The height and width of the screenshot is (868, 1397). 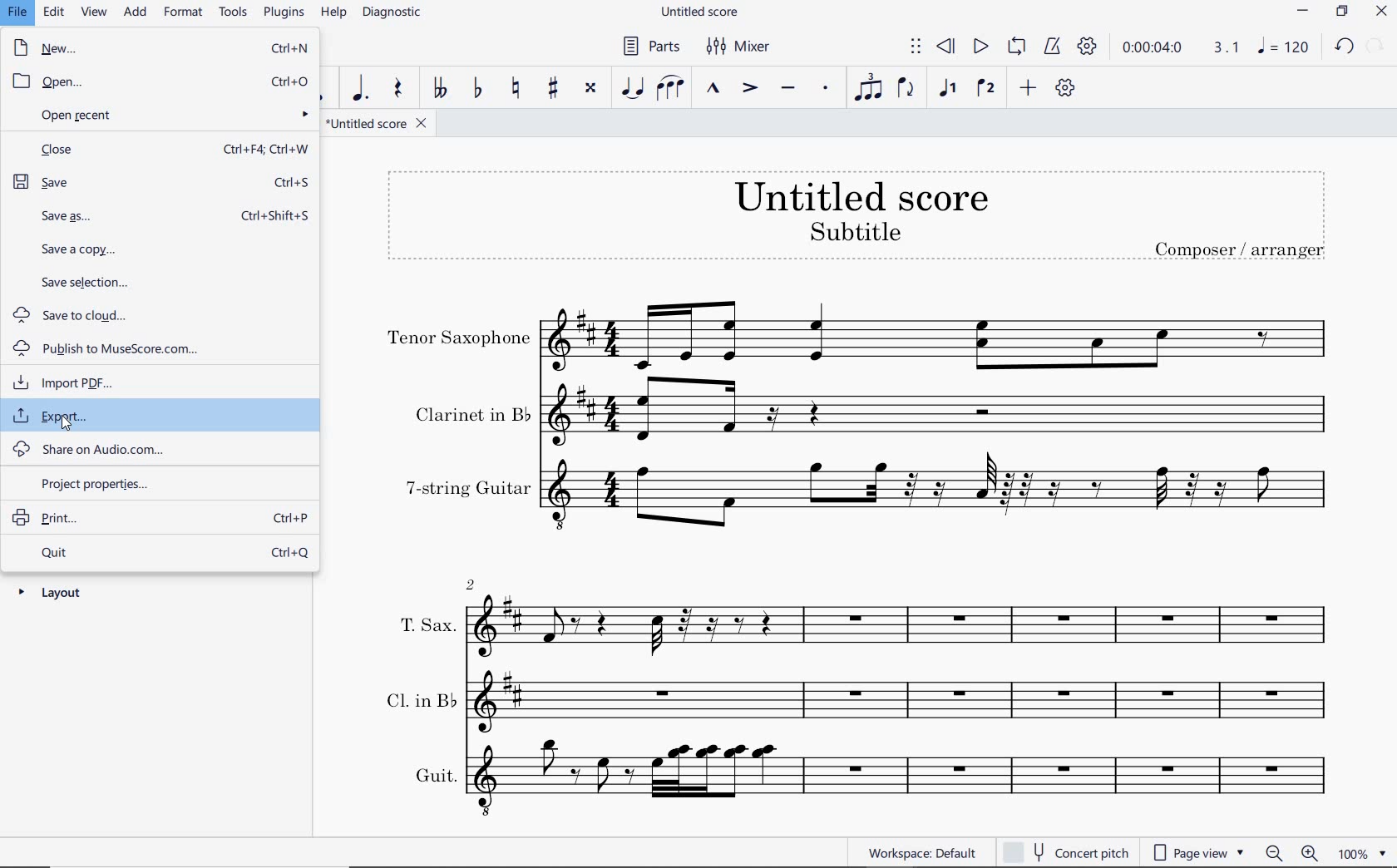 What do you see at coordinates (136, 13) in the screenshot?
I see `ADD` at bounding box center [136, 13].